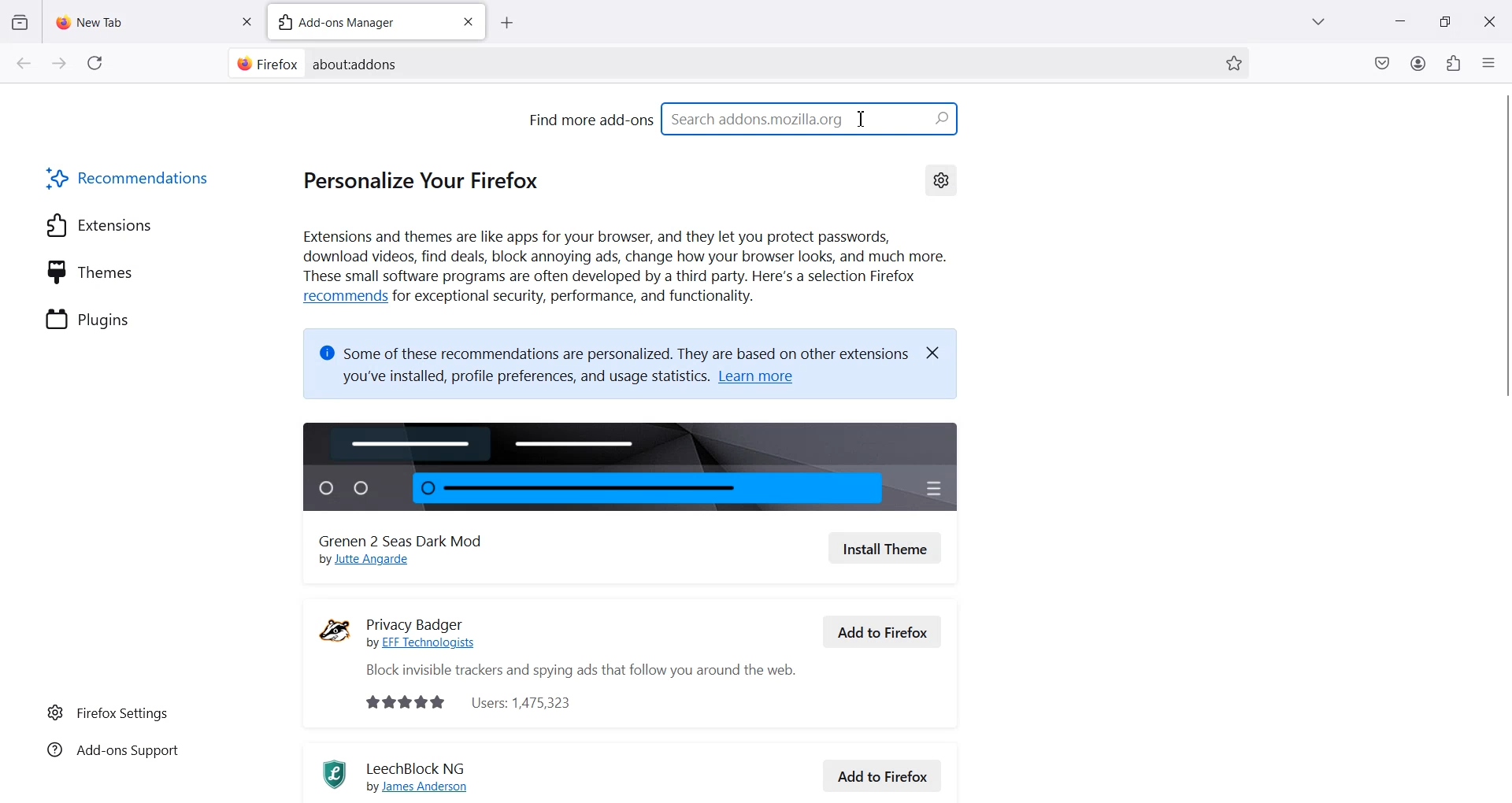 The image size is (1512, 803). Describe the element at coordinates (342, 297) in the screenshot. I see `recommends` at that location.